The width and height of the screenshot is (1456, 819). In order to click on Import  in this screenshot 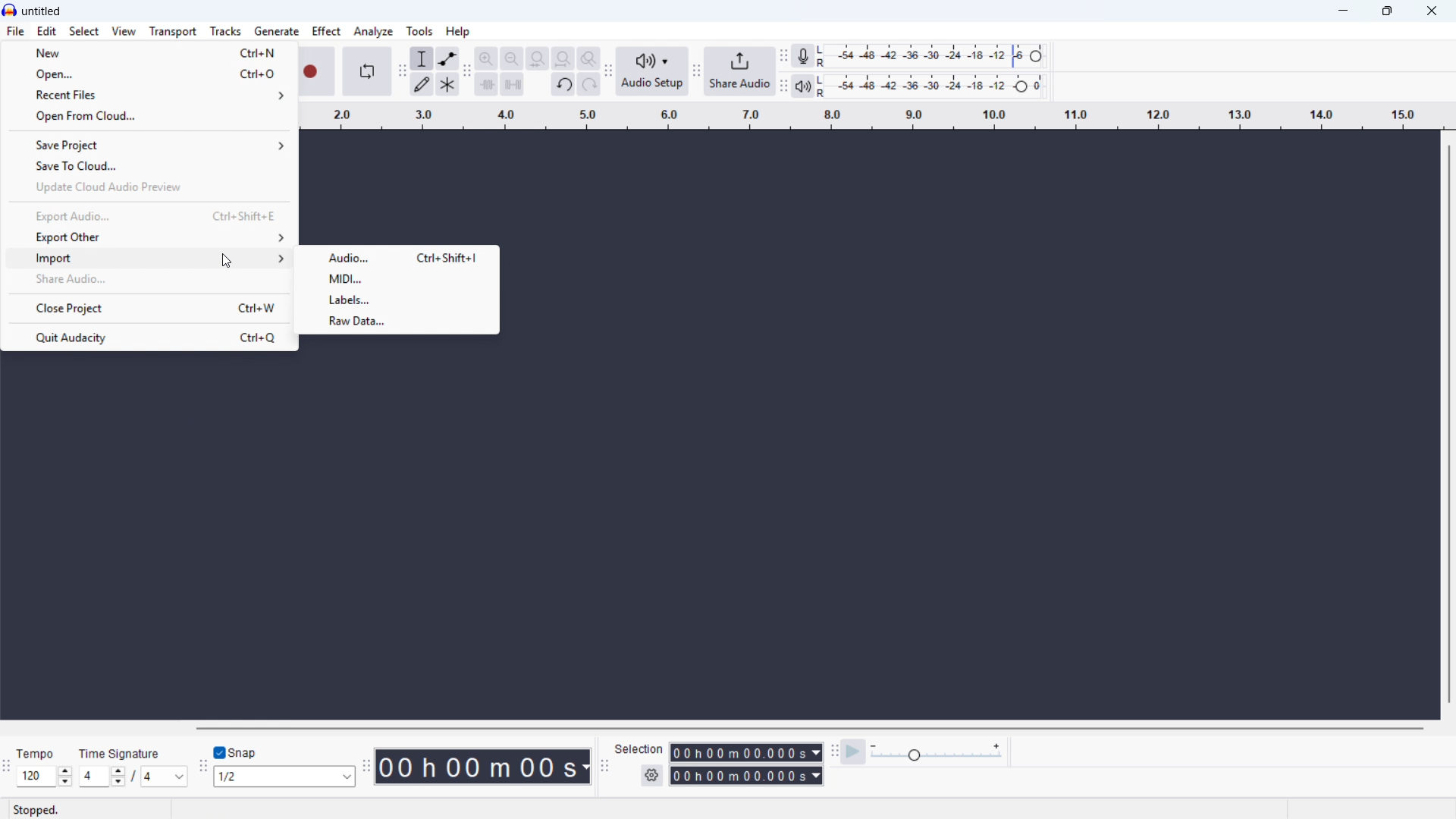, I will do `click(148, 258)`.